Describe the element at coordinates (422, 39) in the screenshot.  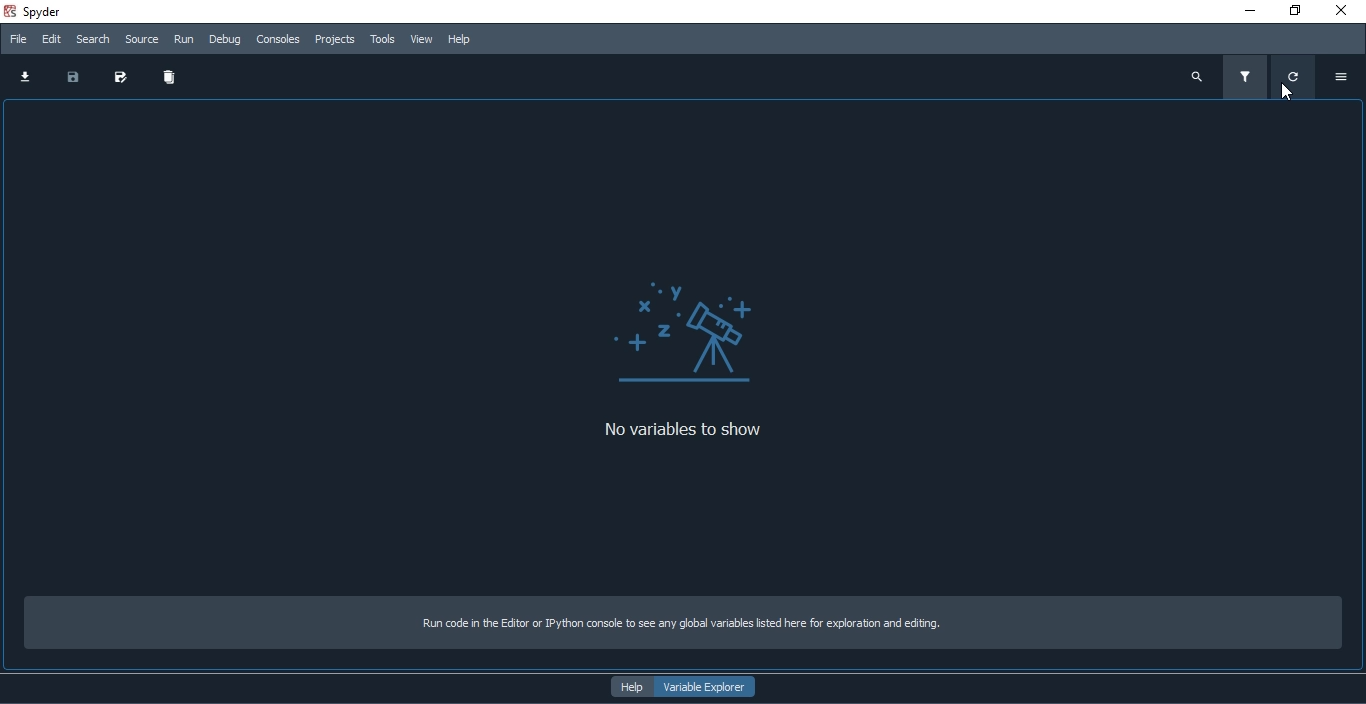
I see `View` at that location.